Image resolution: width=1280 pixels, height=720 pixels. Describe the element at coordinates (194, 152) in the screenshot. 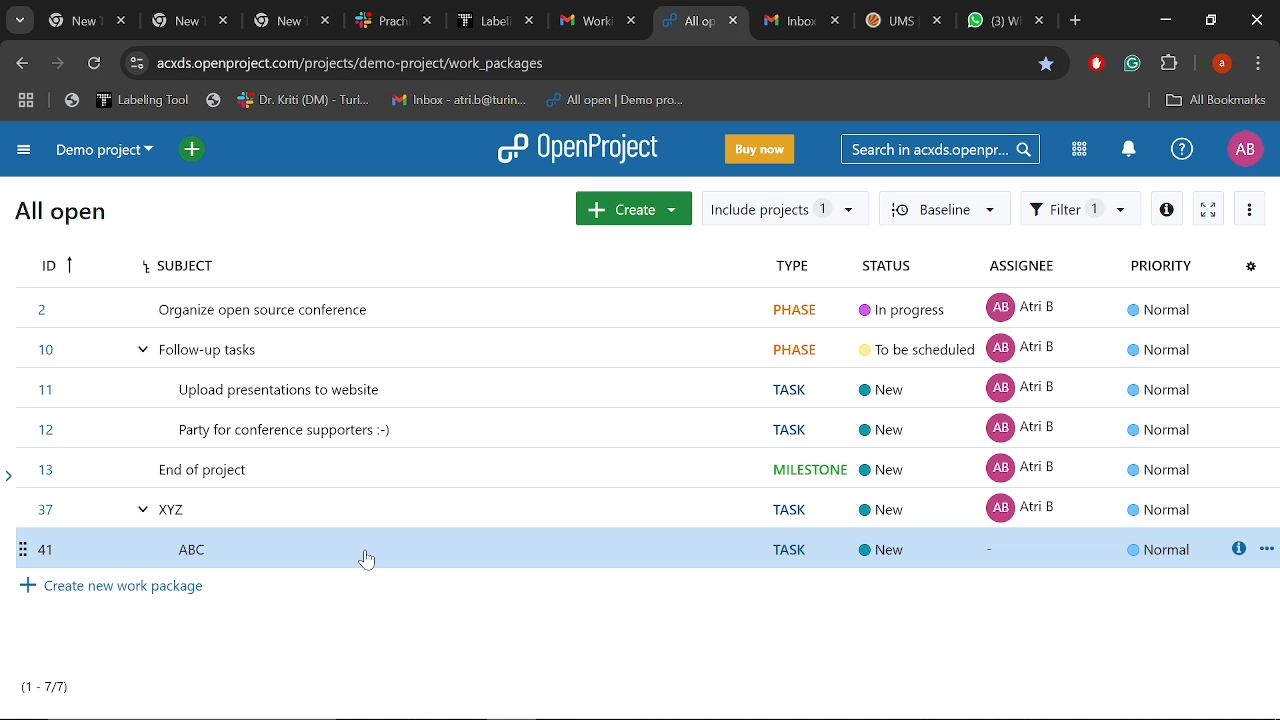

I see `Open quick add menu` at that location.